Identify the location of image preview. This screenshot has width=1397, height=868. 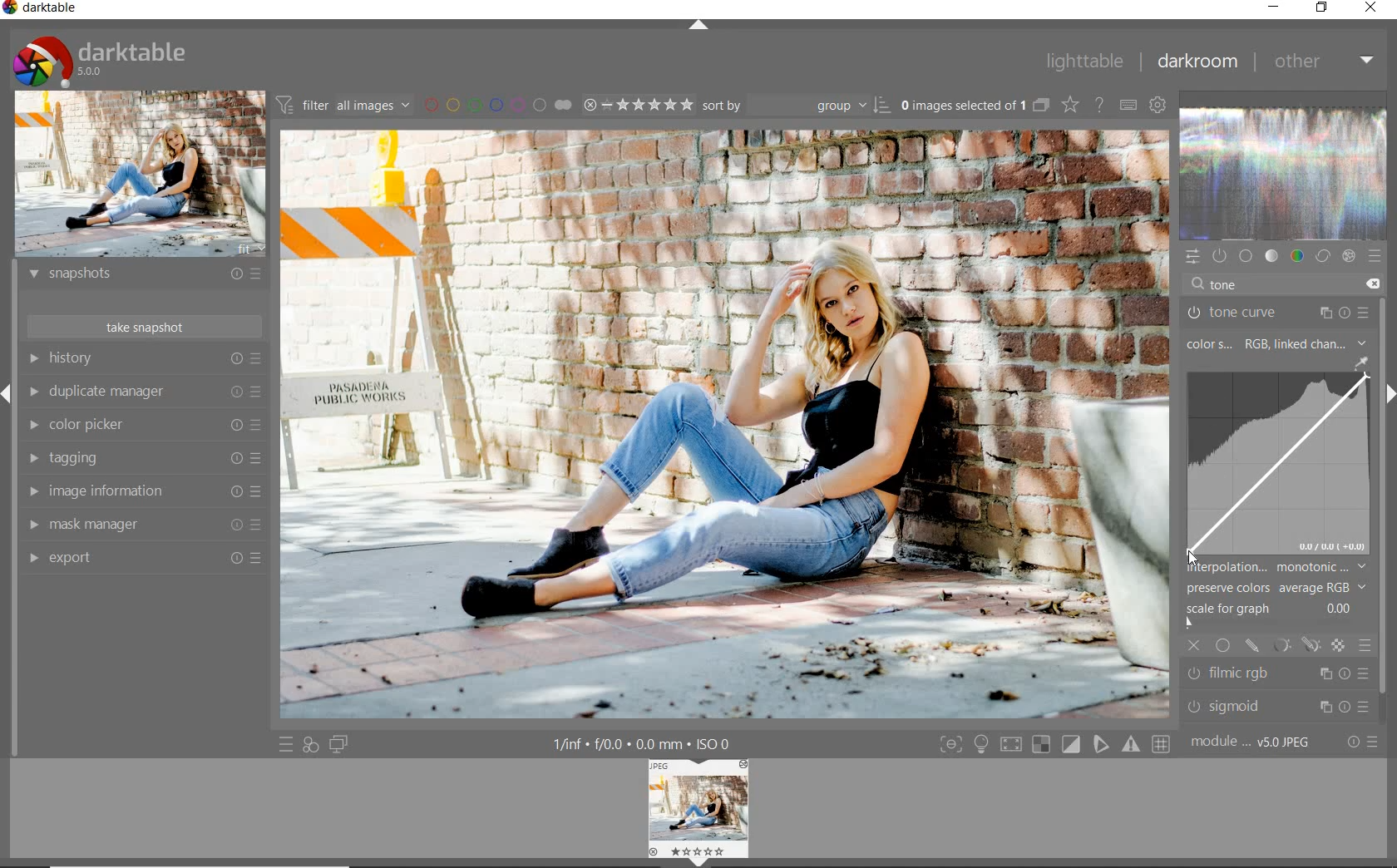
(139, 175).